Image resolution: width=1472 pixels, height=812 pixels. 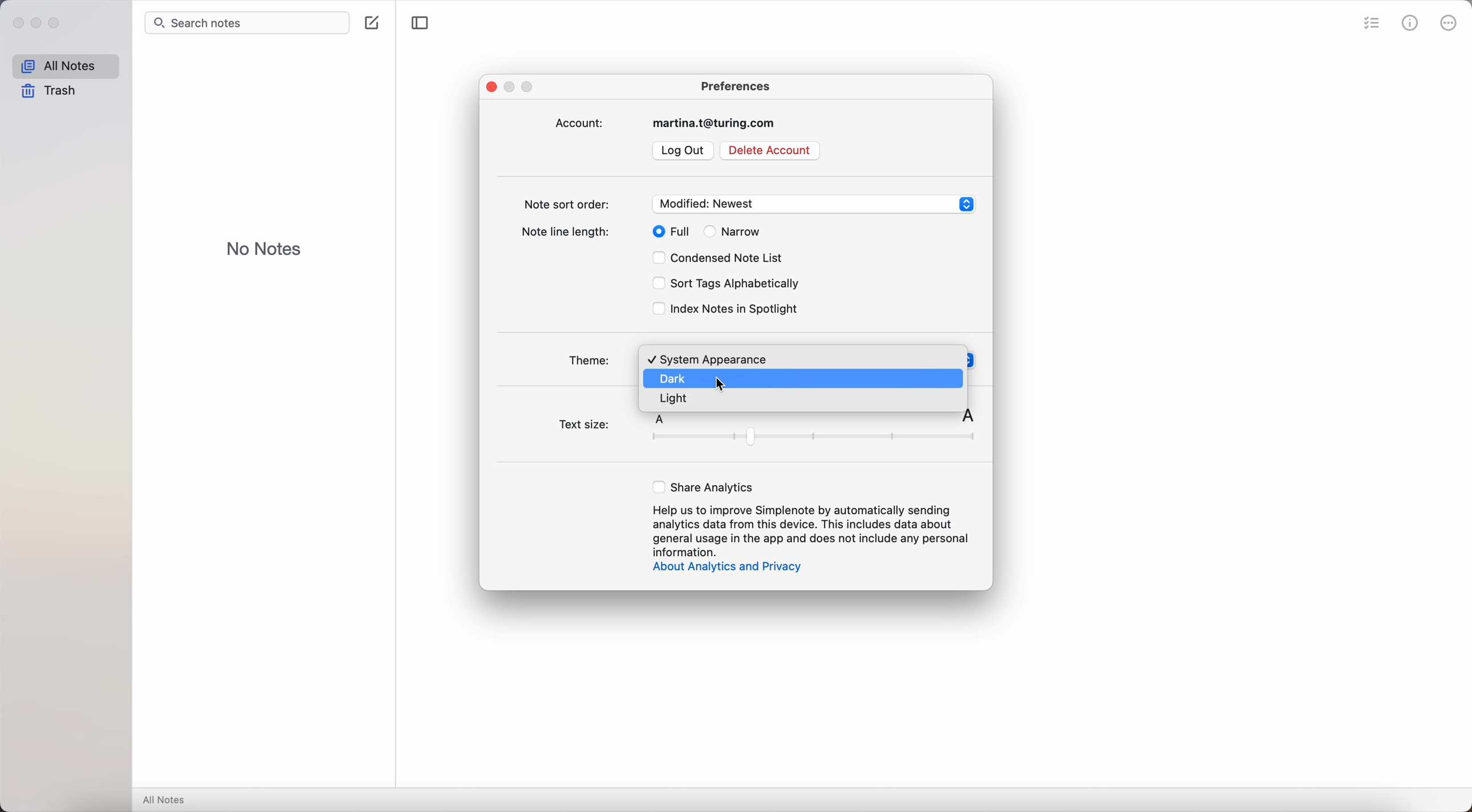 I want to click on full, so click(x=667, y=231).